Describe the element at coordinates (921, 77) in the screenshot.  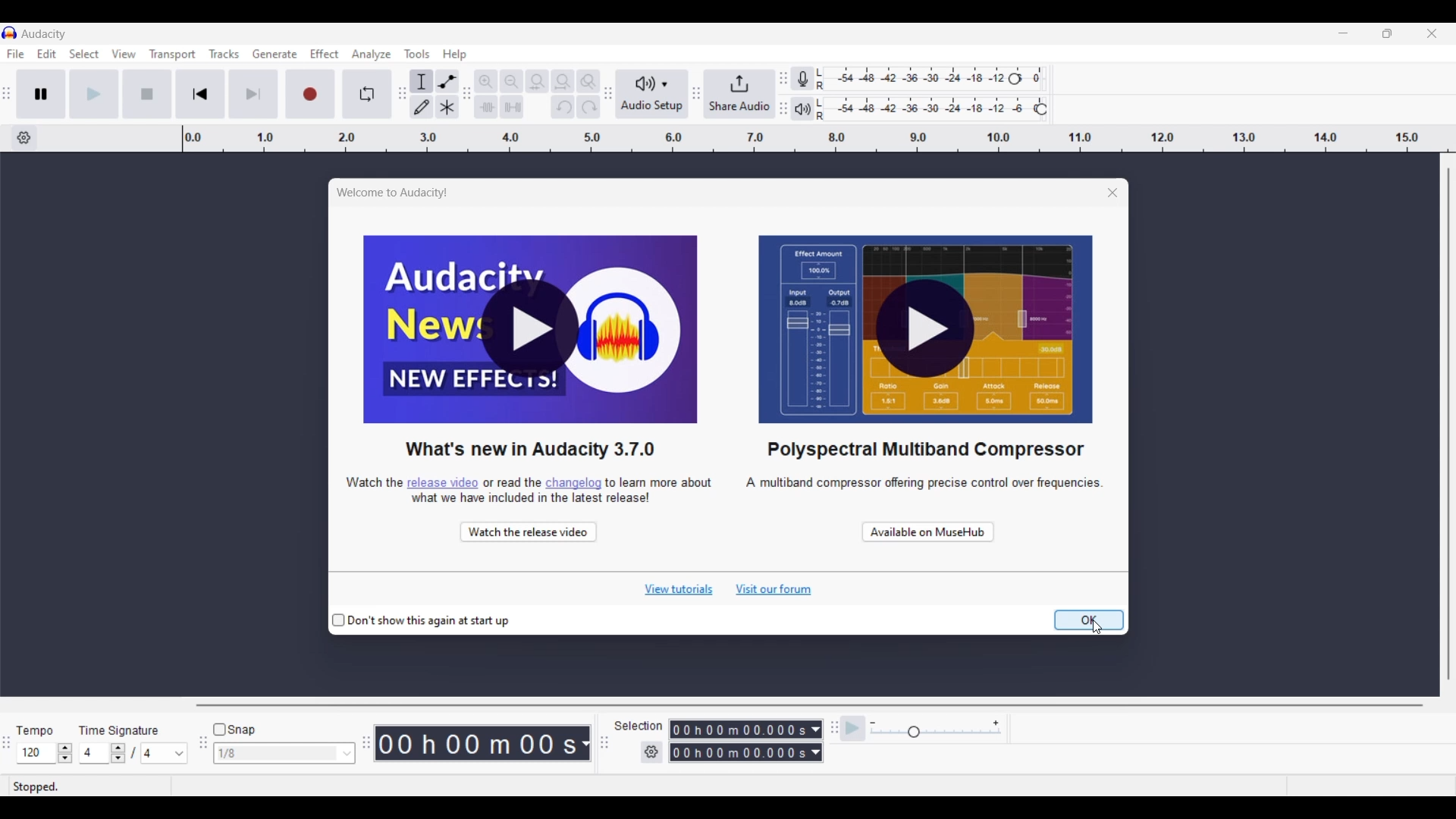
I see `Recording level` at that location.